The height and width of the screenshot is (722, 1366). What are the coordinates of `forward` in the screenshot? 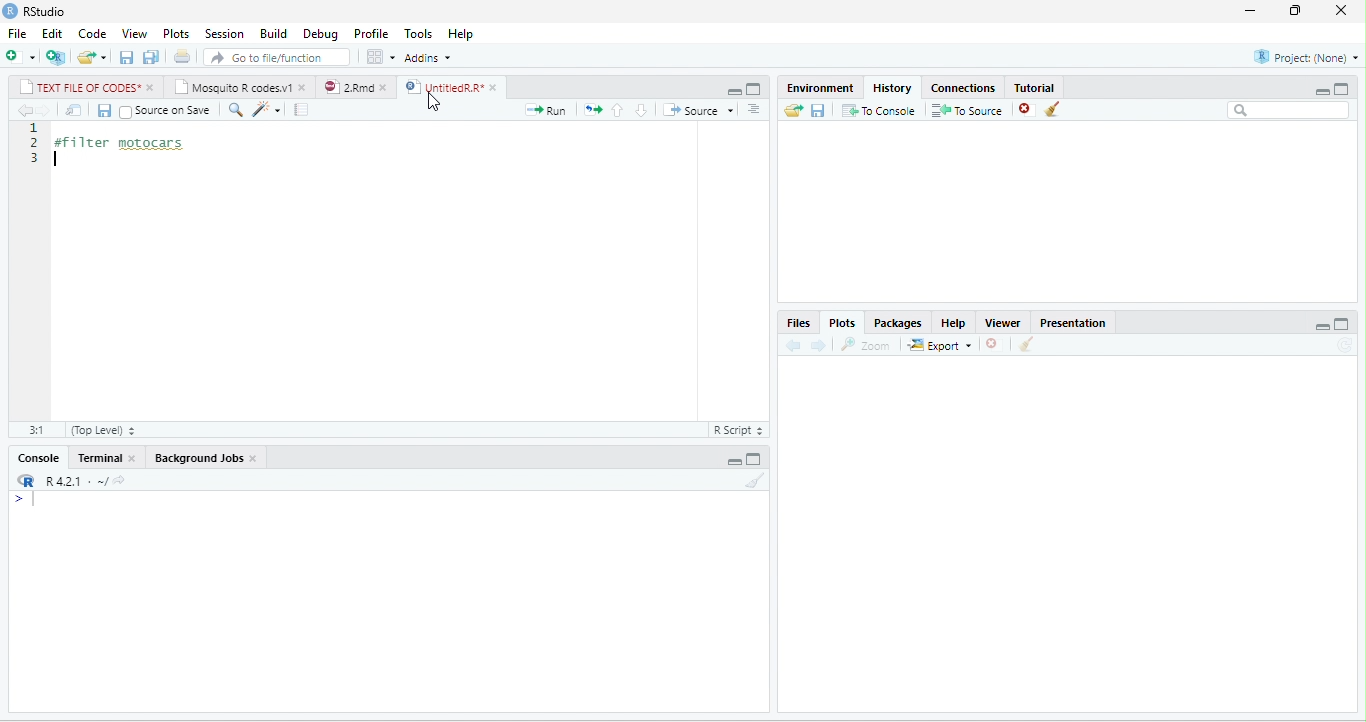 It's located at (818, 346).